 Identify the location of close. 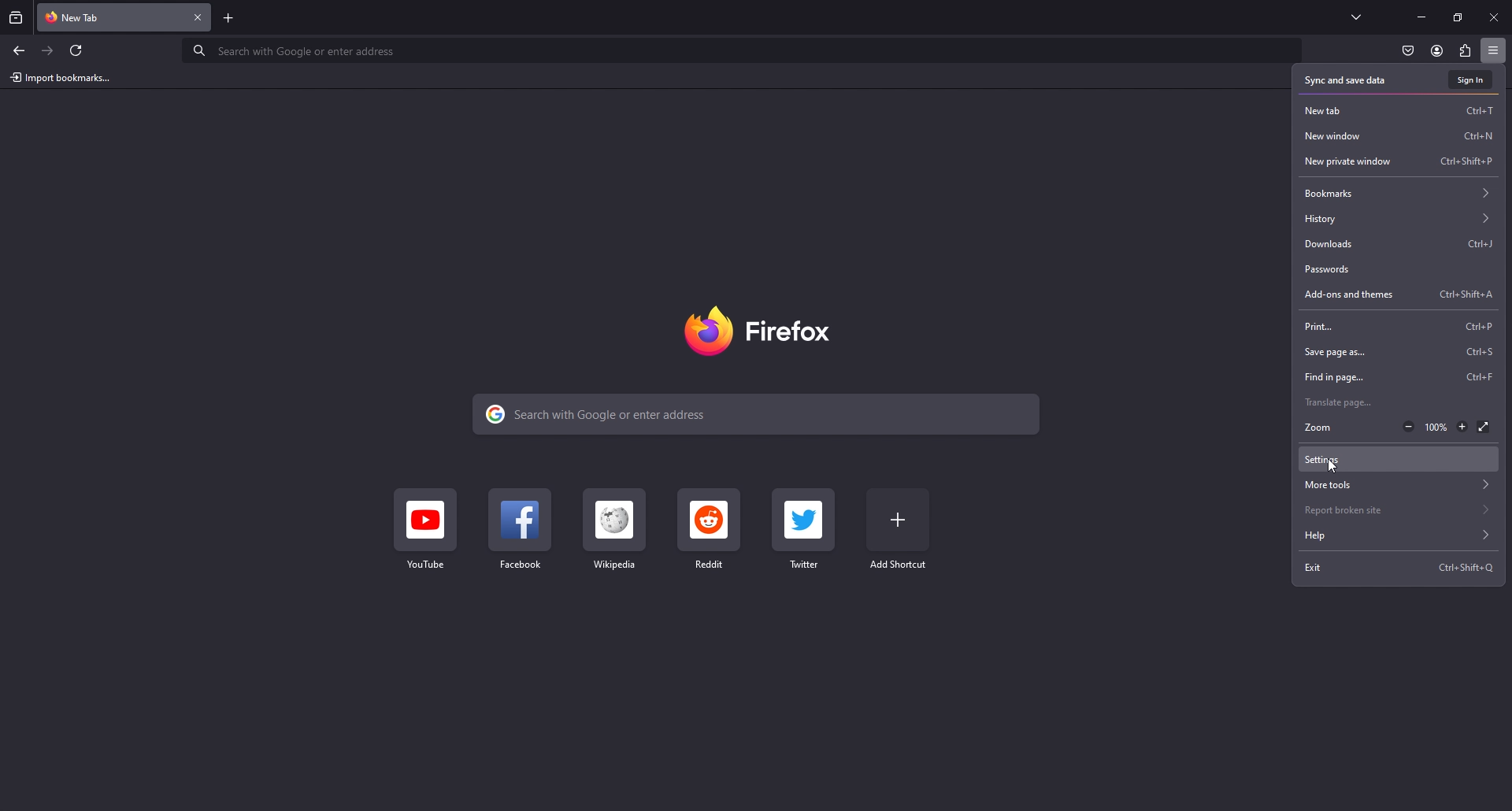
(1495, 16).